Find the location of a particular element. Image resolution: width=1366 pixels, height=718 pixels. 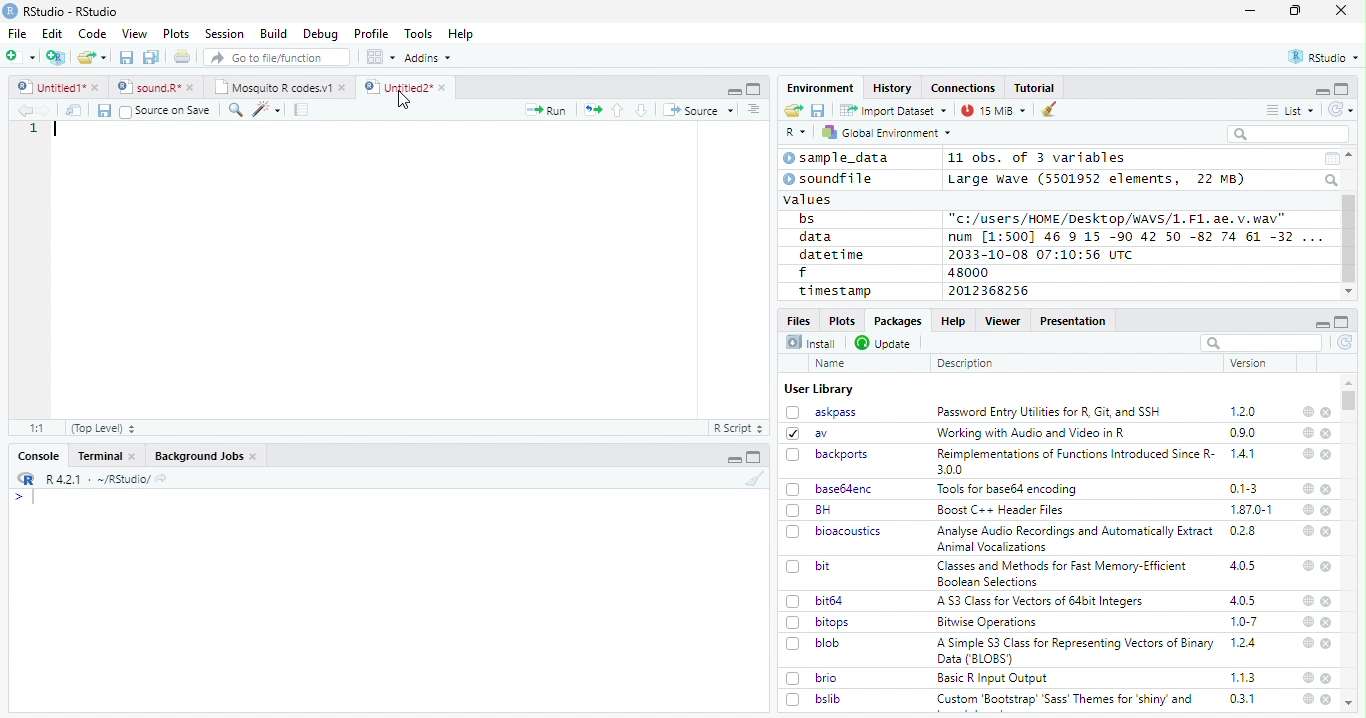

search bar is located at coordinates (1259, 342).